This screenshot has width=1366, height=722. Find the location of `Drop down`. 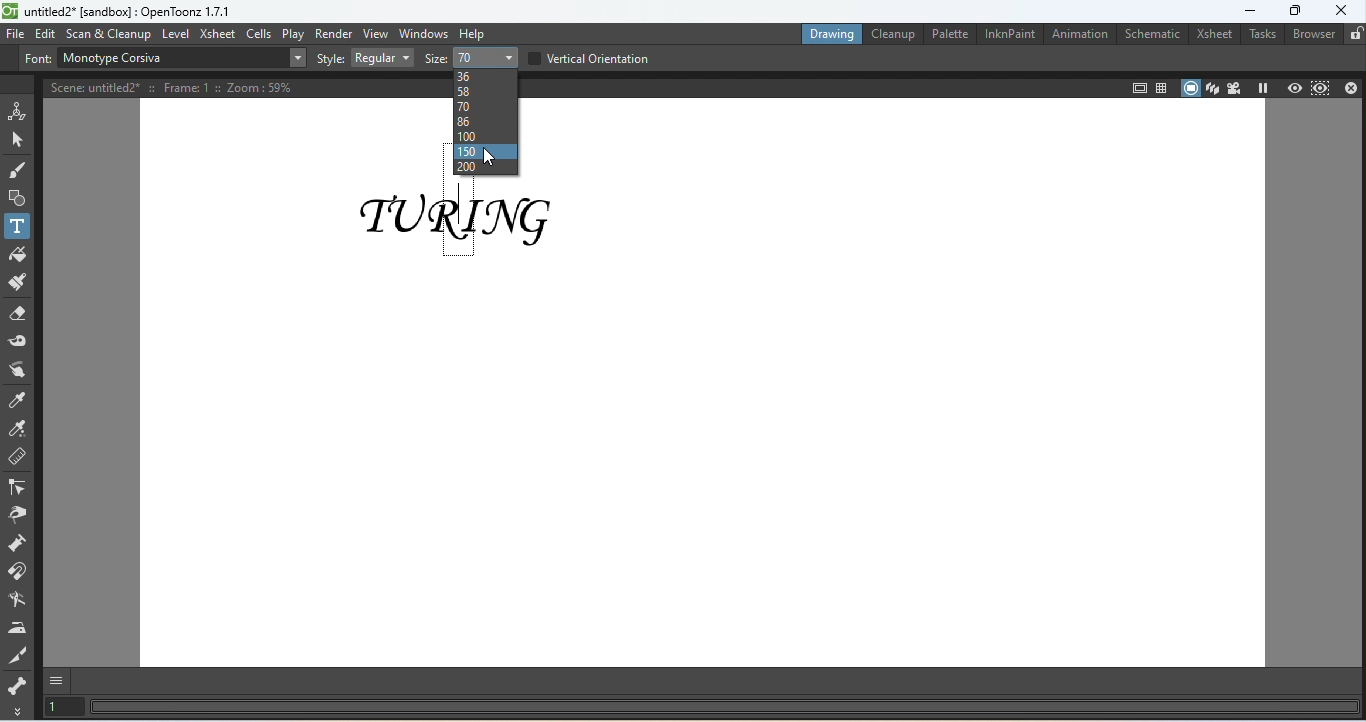

Drop down is located at coordinates (486, 56).